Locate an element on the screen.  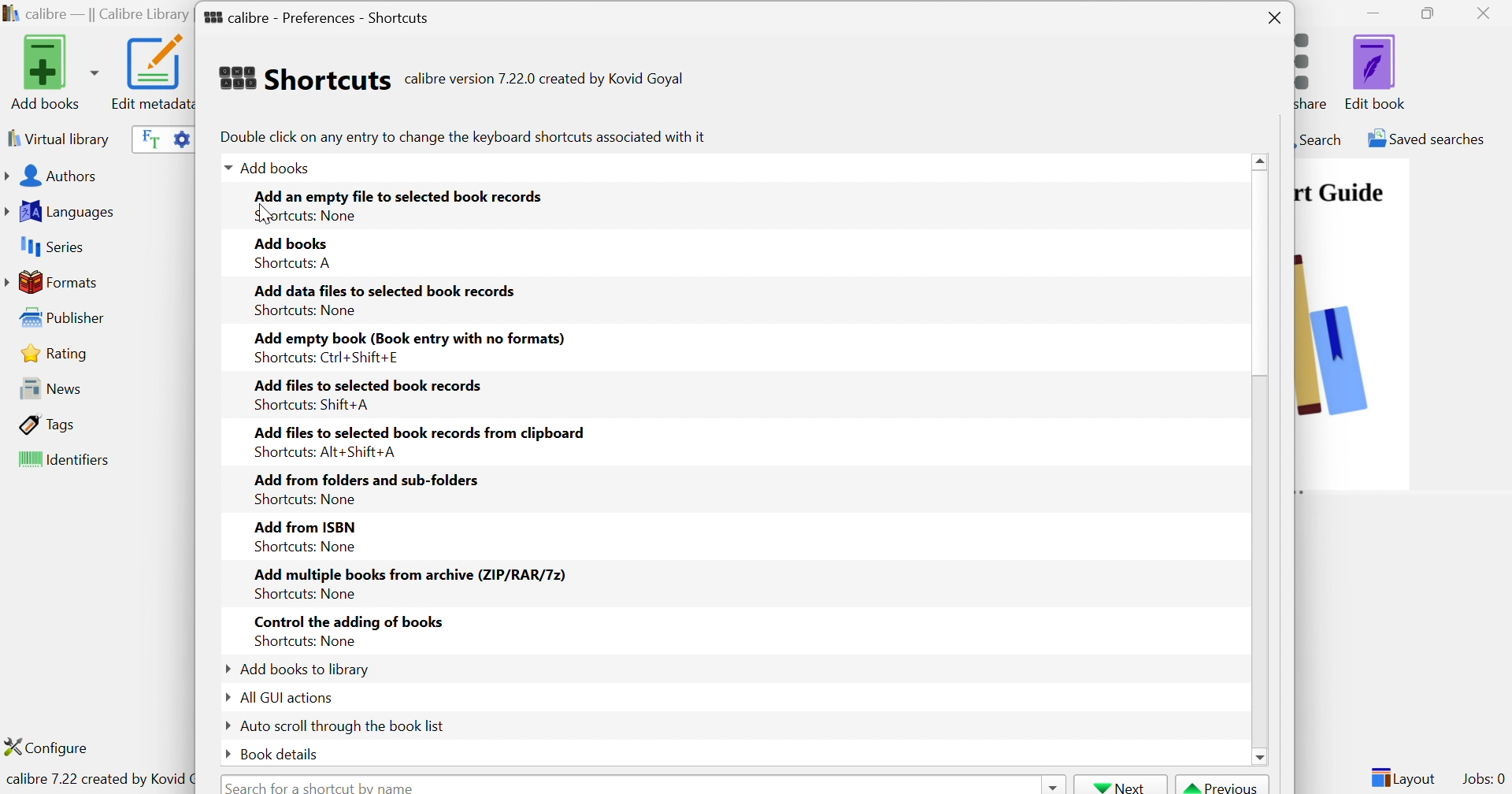
Add books to library is located at coordinates (307, 670).